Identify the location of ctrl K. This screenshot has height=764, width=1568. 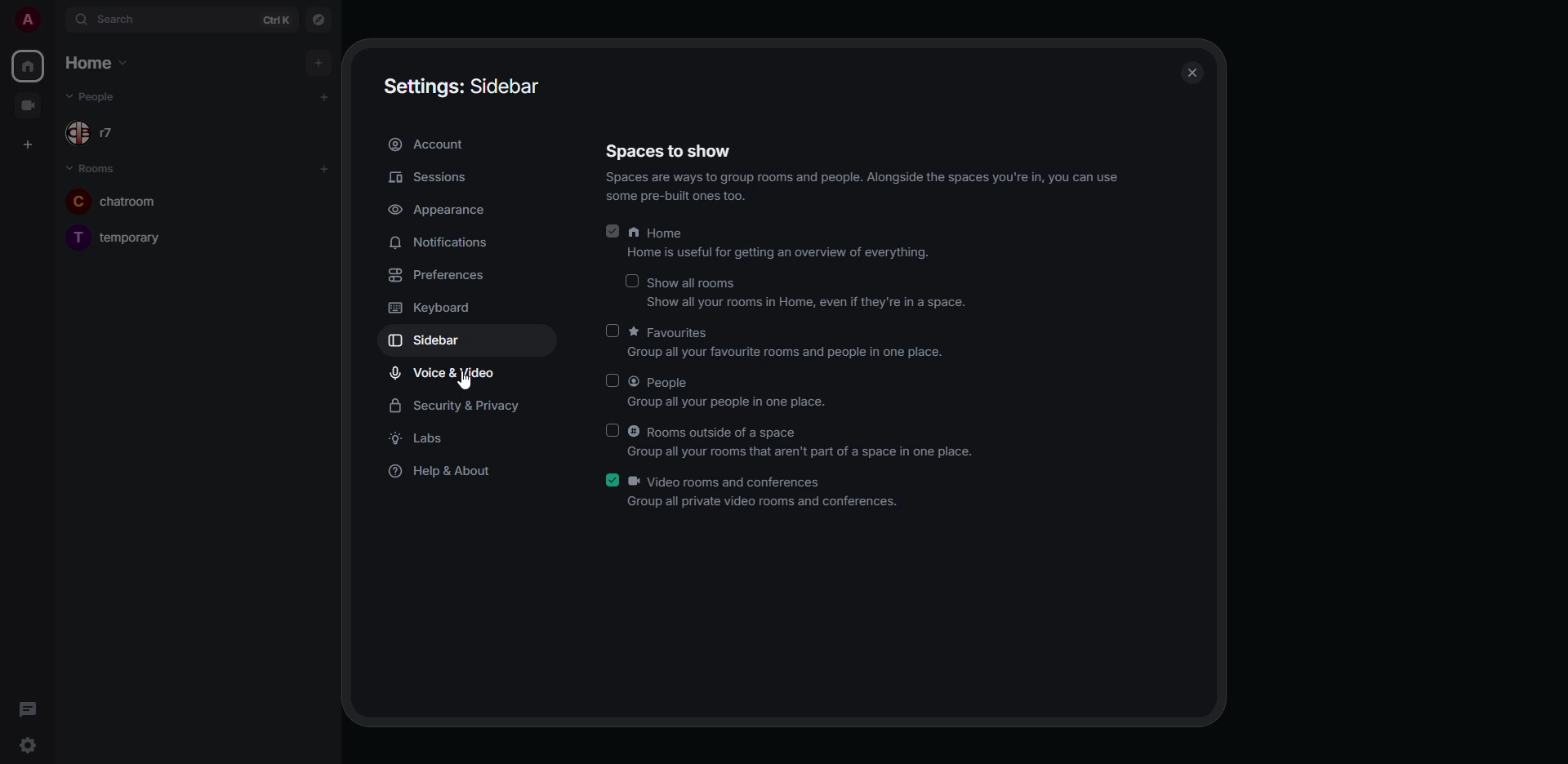
(278, 19).